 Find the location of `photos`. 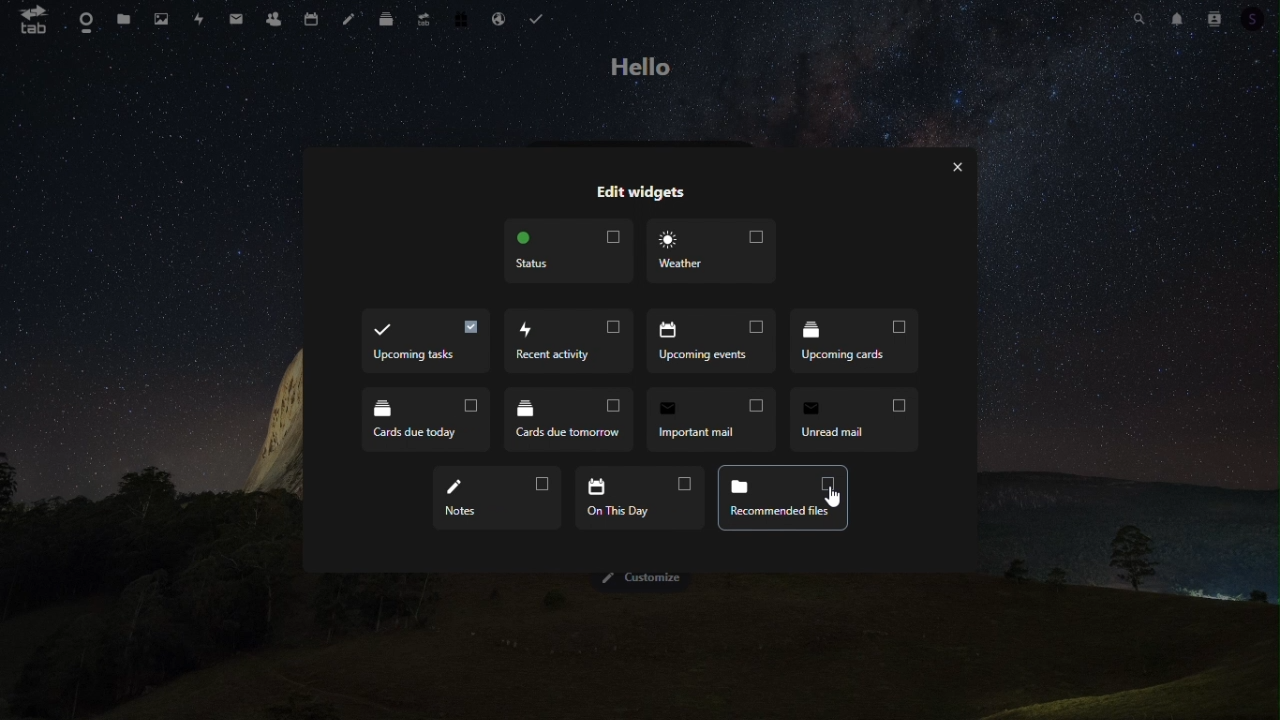

photos is located at coordinates (163, 20).